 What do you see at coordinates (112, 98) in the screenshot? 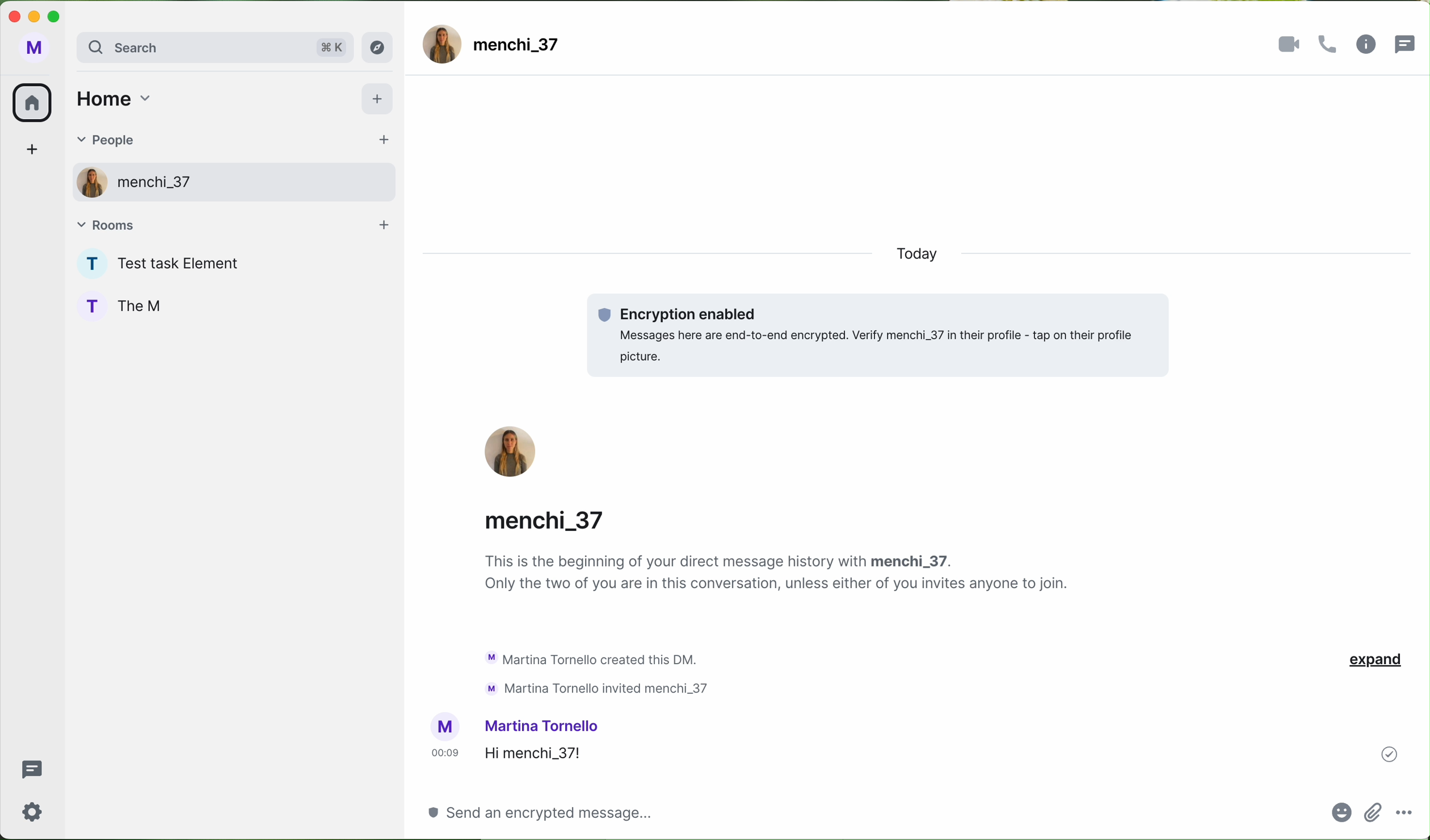
I see `home` at bounding box center [112, 98].